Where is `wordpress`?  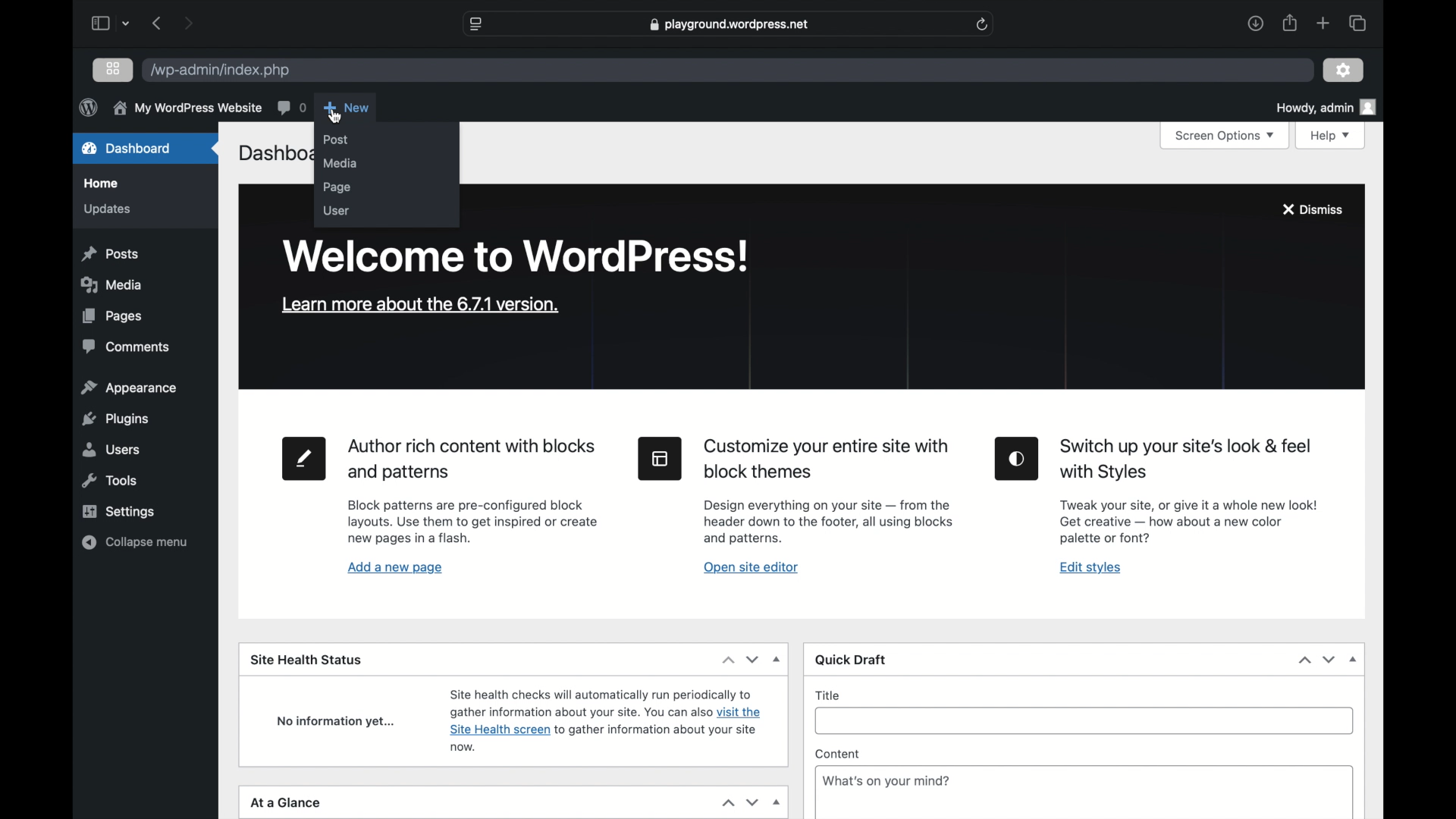
wordpress is located at coordinates (86, 108).